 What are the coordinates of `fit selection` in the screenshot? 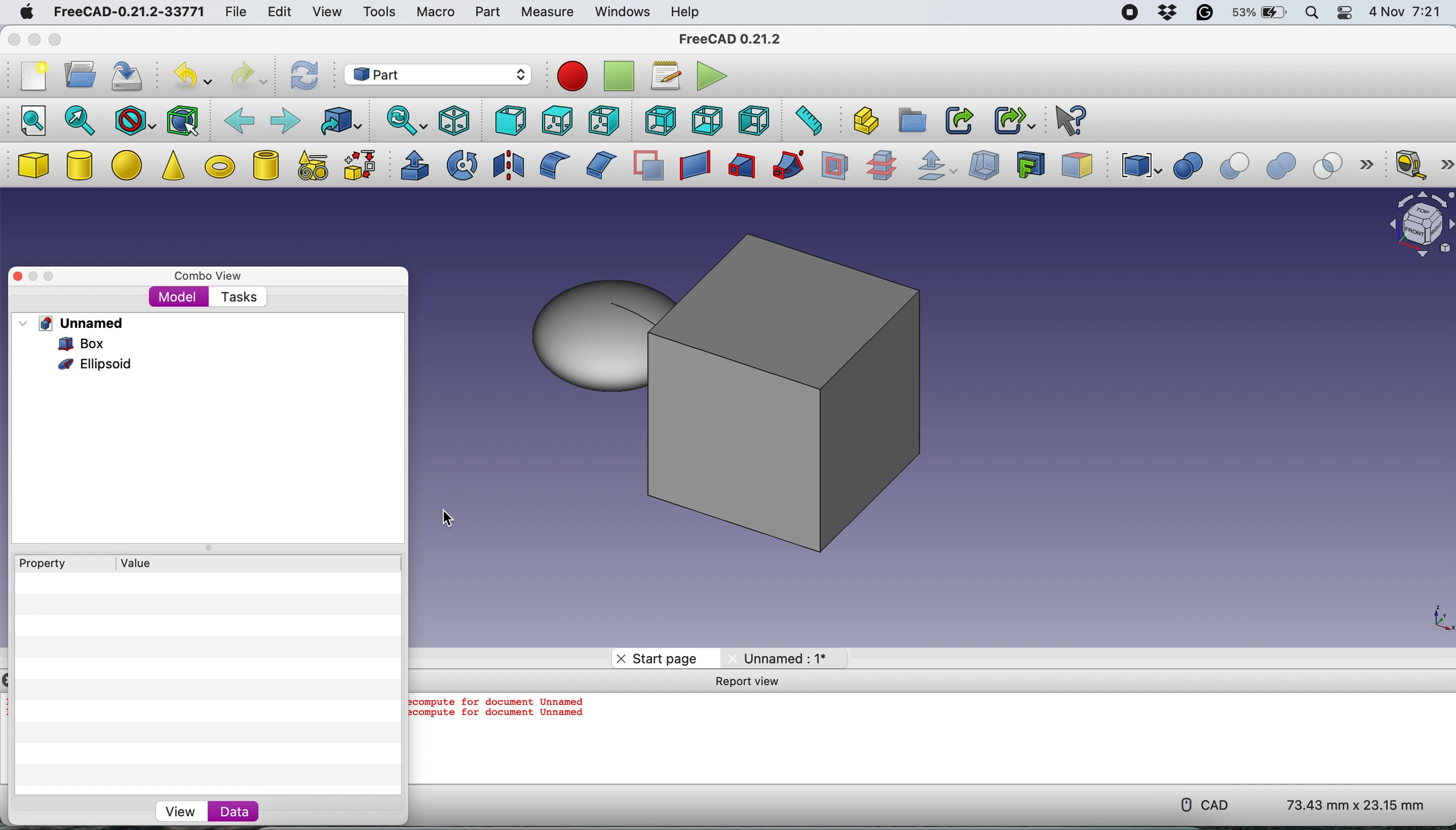 It's located at (80, 120).